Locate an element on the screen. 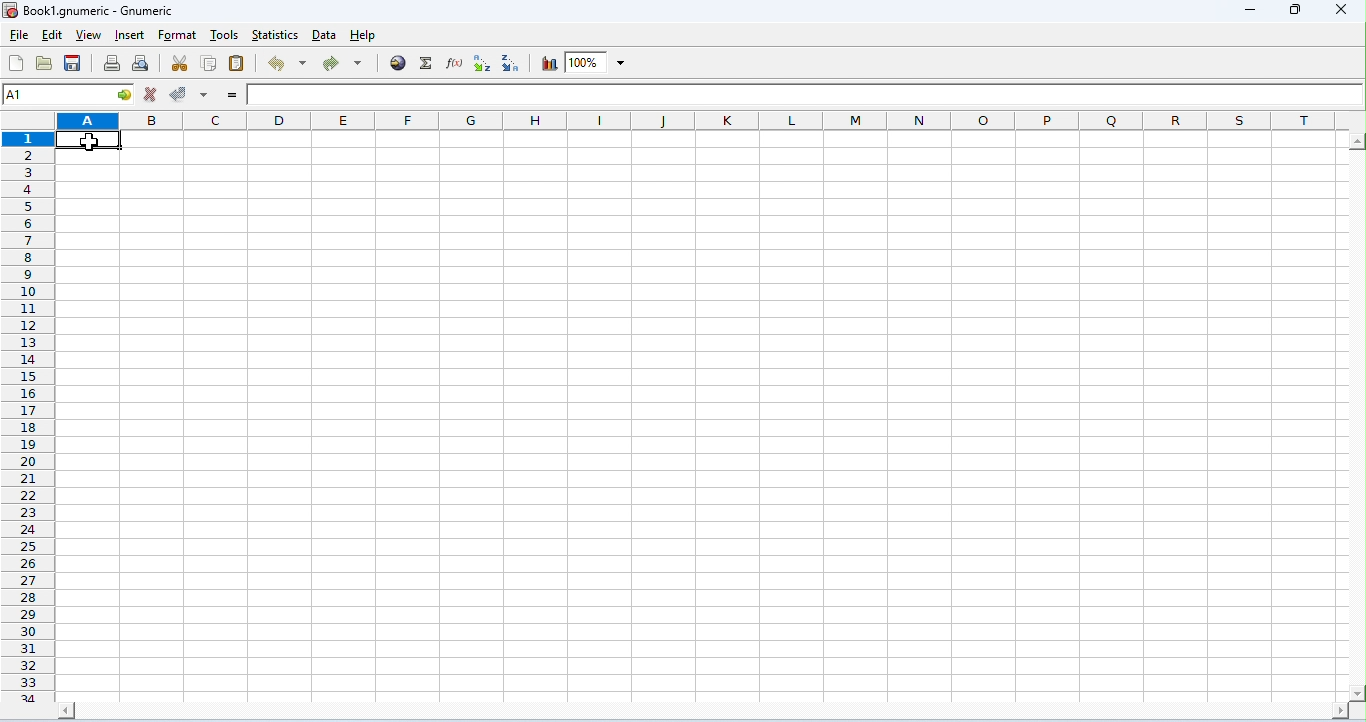  print is located at coordinates (111, 62).